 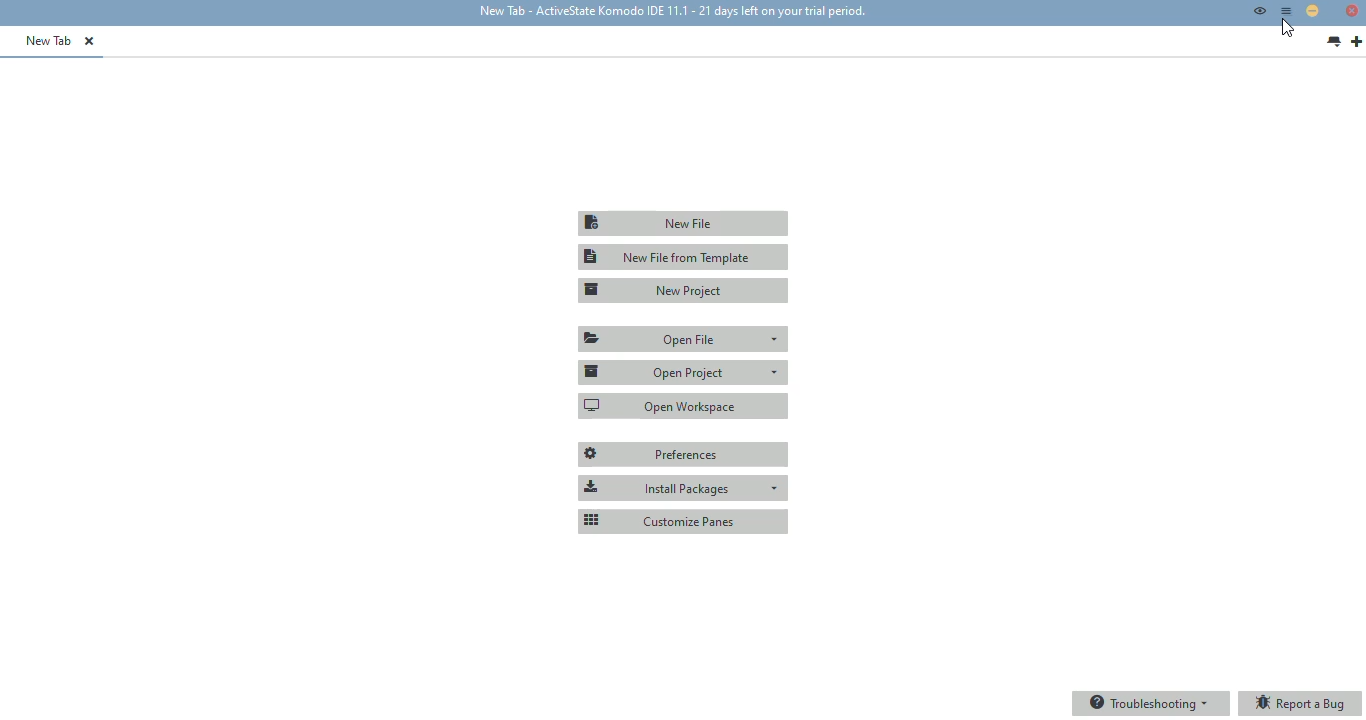 What do you see at coordinates (685, 339) in the screenshot?
I see `open file` at bounding box center [685, 339].